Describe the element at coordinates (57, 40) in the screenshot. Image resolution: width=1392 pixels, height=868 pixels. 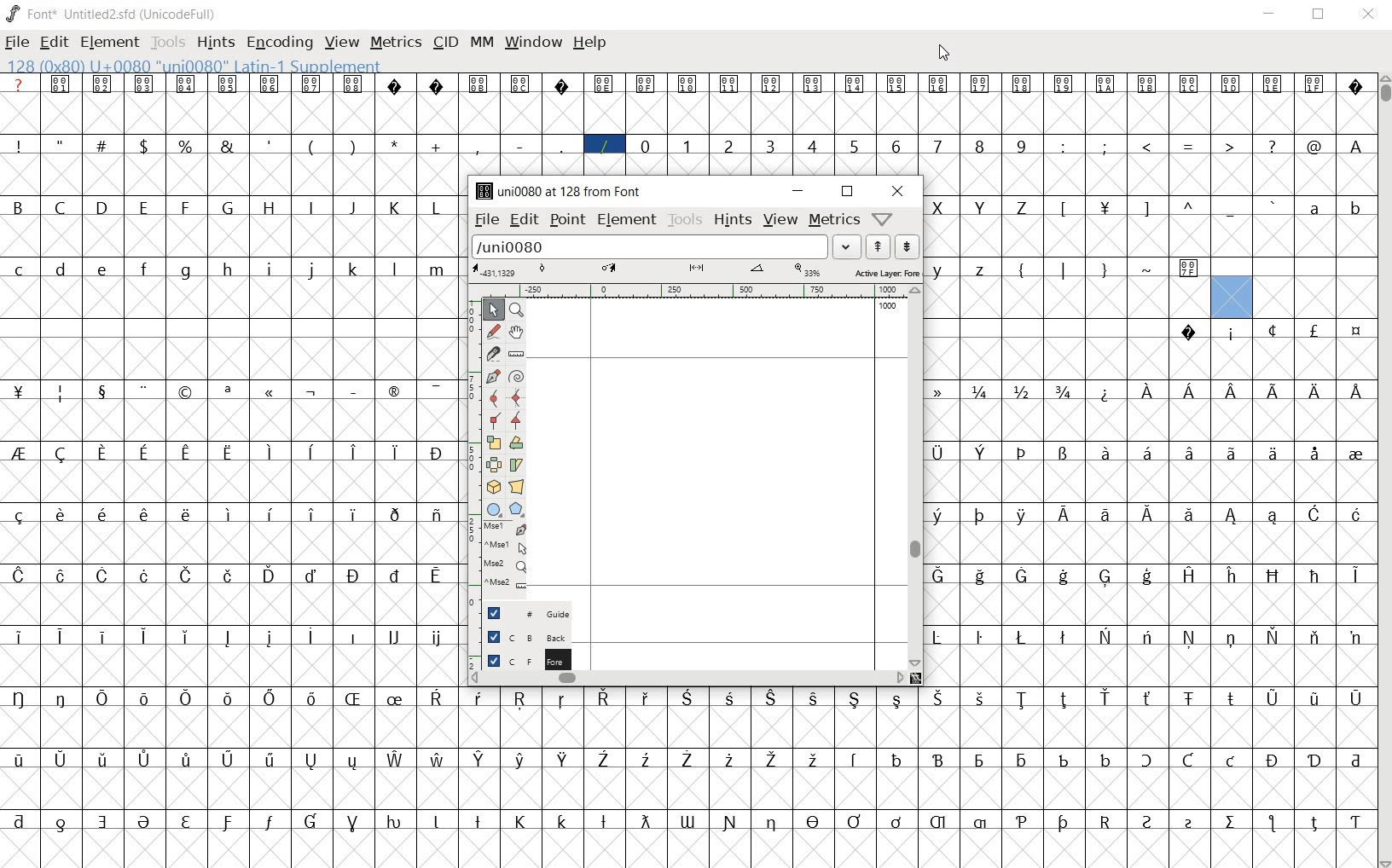
I see `EDIT` at that location.